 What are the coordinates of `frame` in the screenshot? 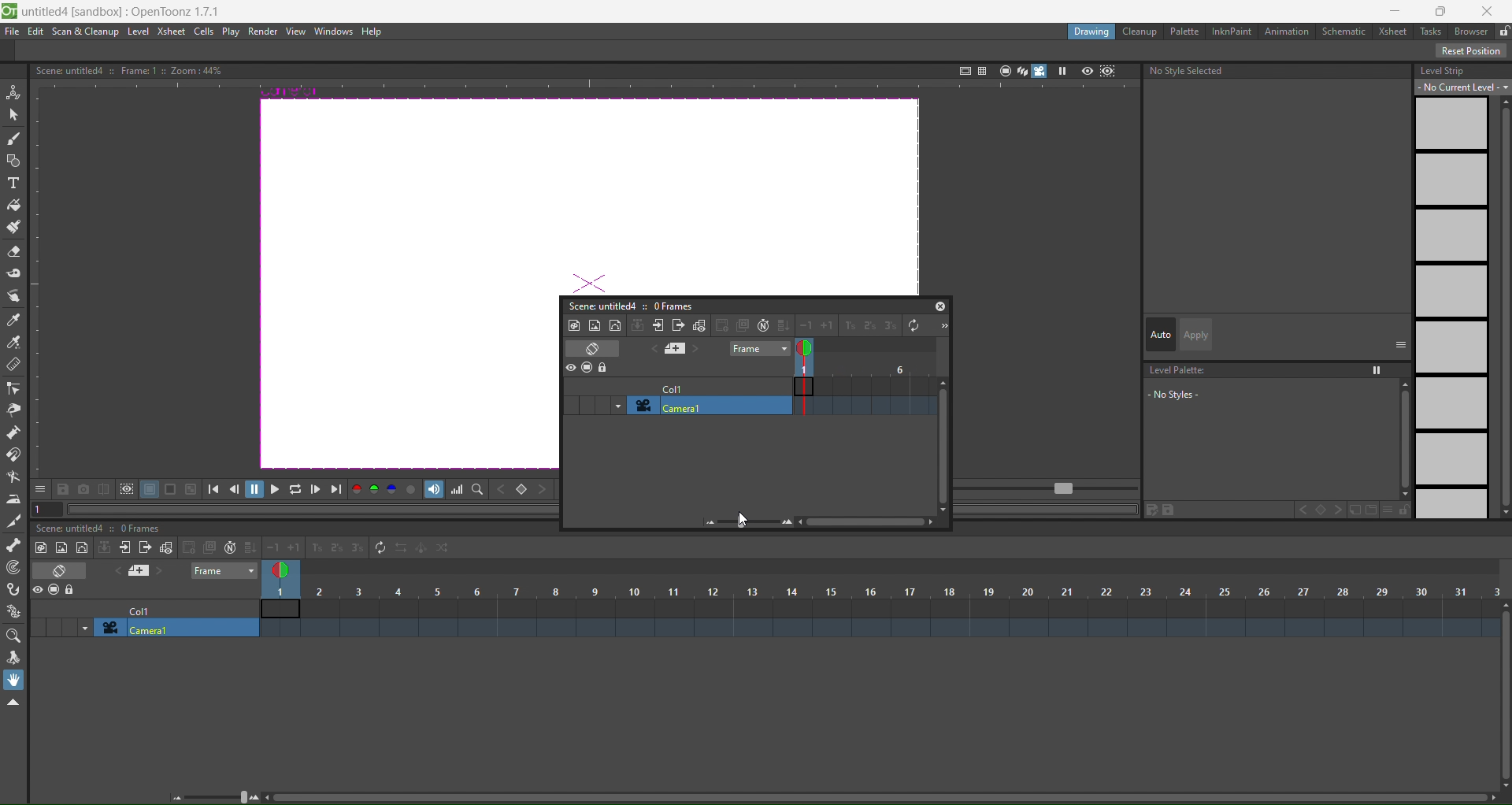 It's located at (865, 380).